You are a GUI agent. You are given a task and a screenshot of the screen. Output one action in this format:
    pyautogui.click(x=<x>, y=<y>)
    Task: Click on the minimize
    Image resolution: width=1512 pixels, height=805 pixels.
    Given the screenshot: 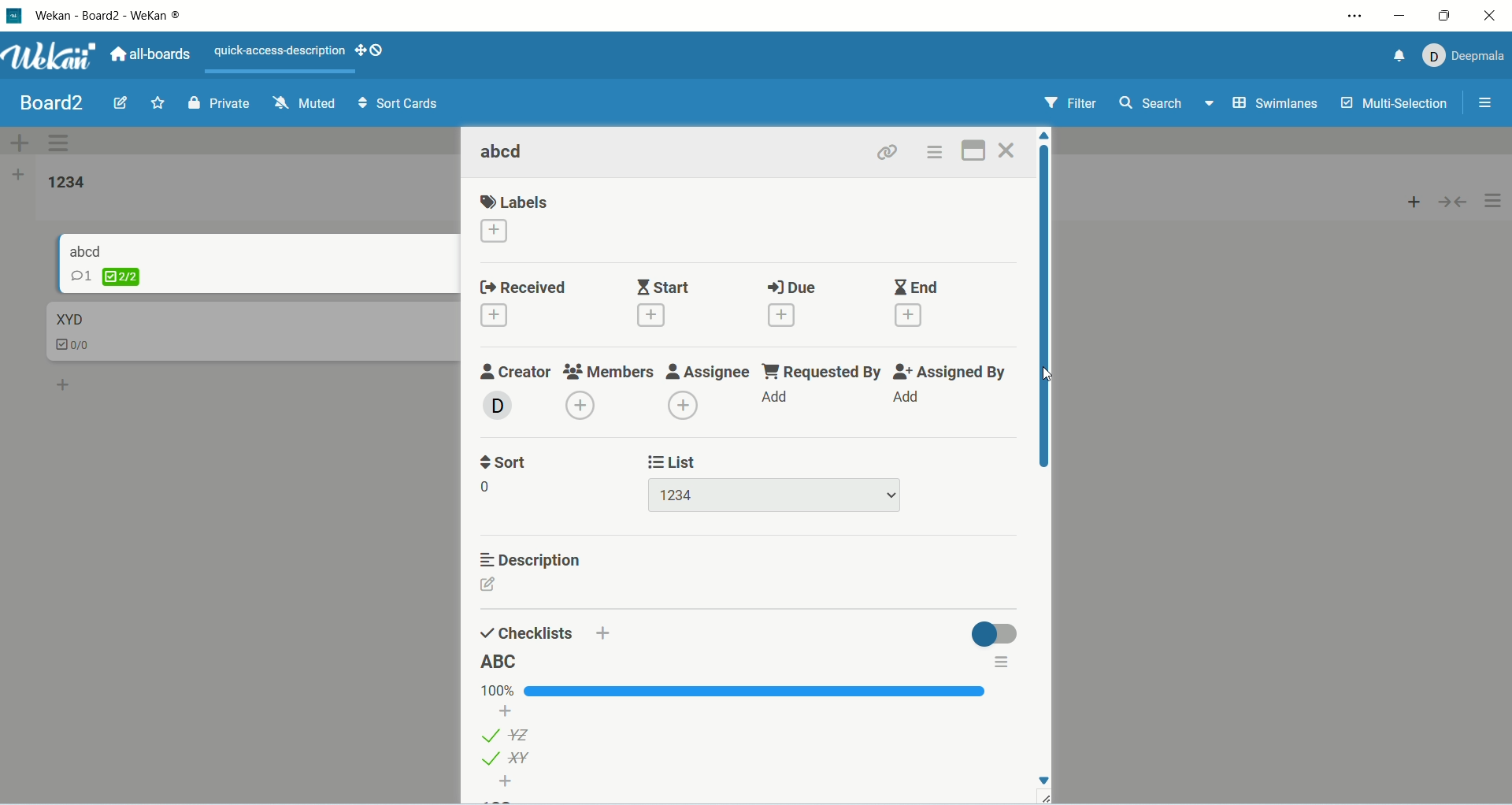 What is the action you would take?
    pyautogui.click(x=1403, y=19)
    